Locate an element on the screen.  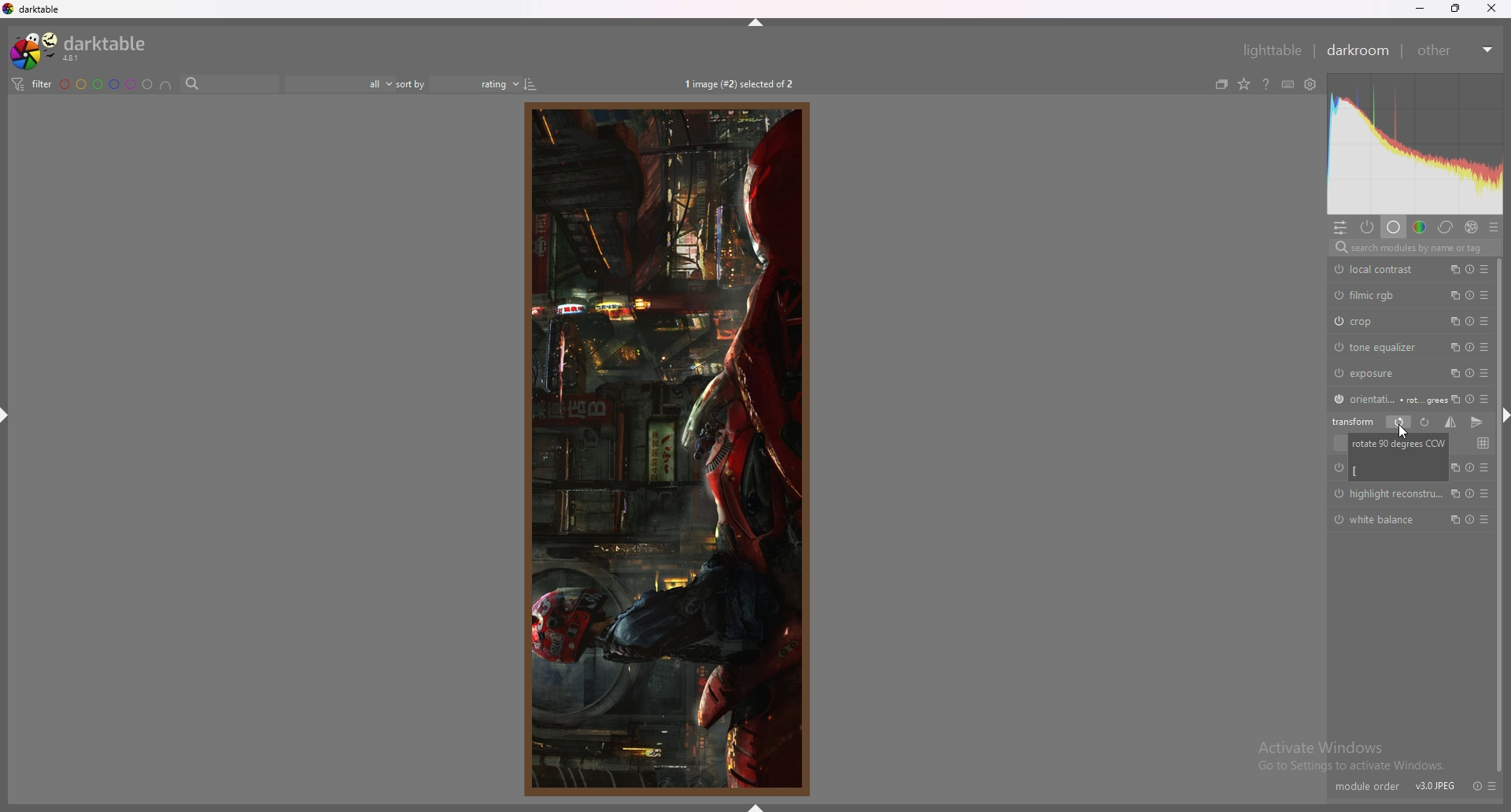
multiple instances action is located at coordinates (1454, 493).